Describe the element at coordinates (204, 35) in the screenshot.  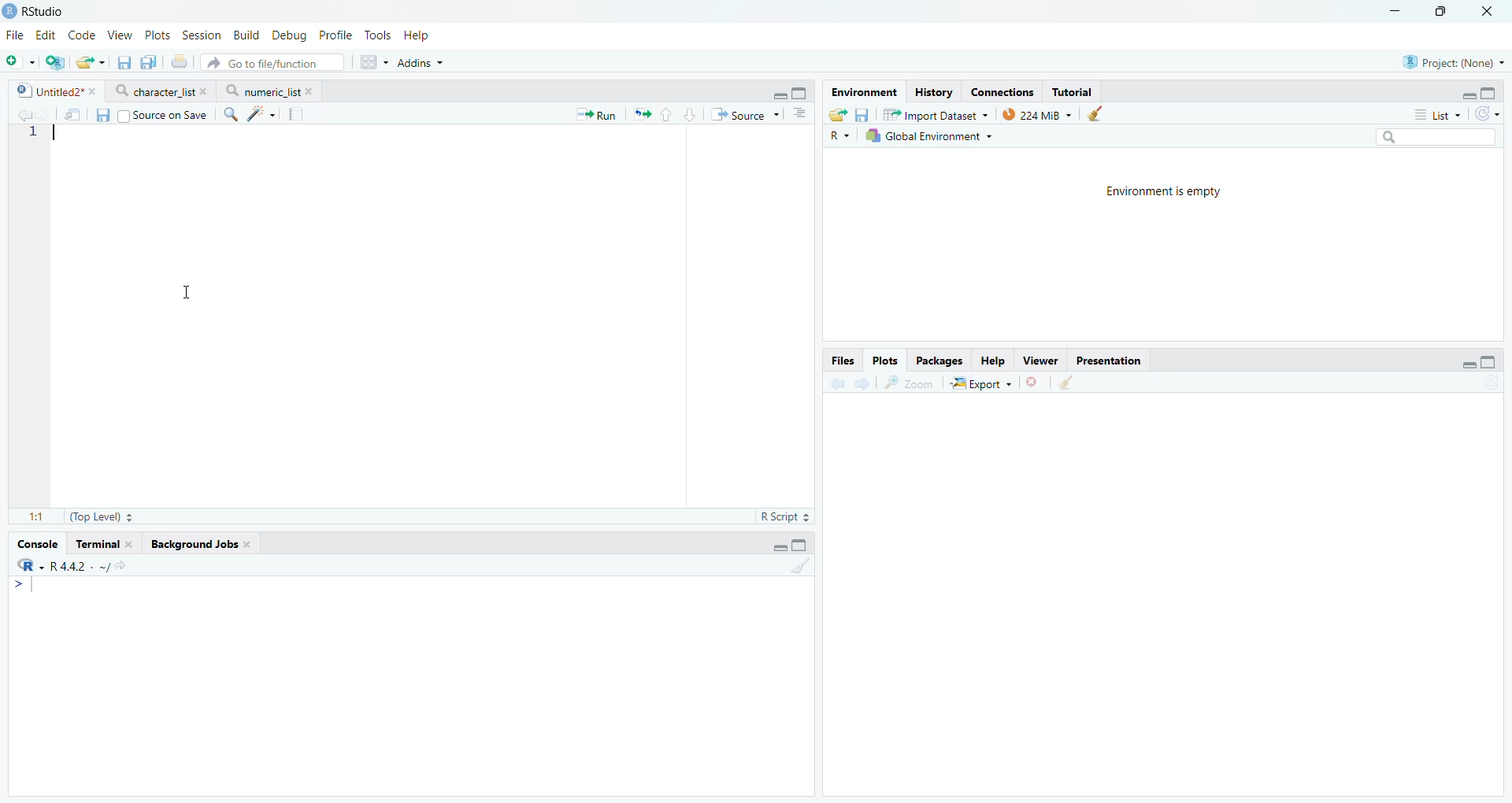
I see `Session` at that location.